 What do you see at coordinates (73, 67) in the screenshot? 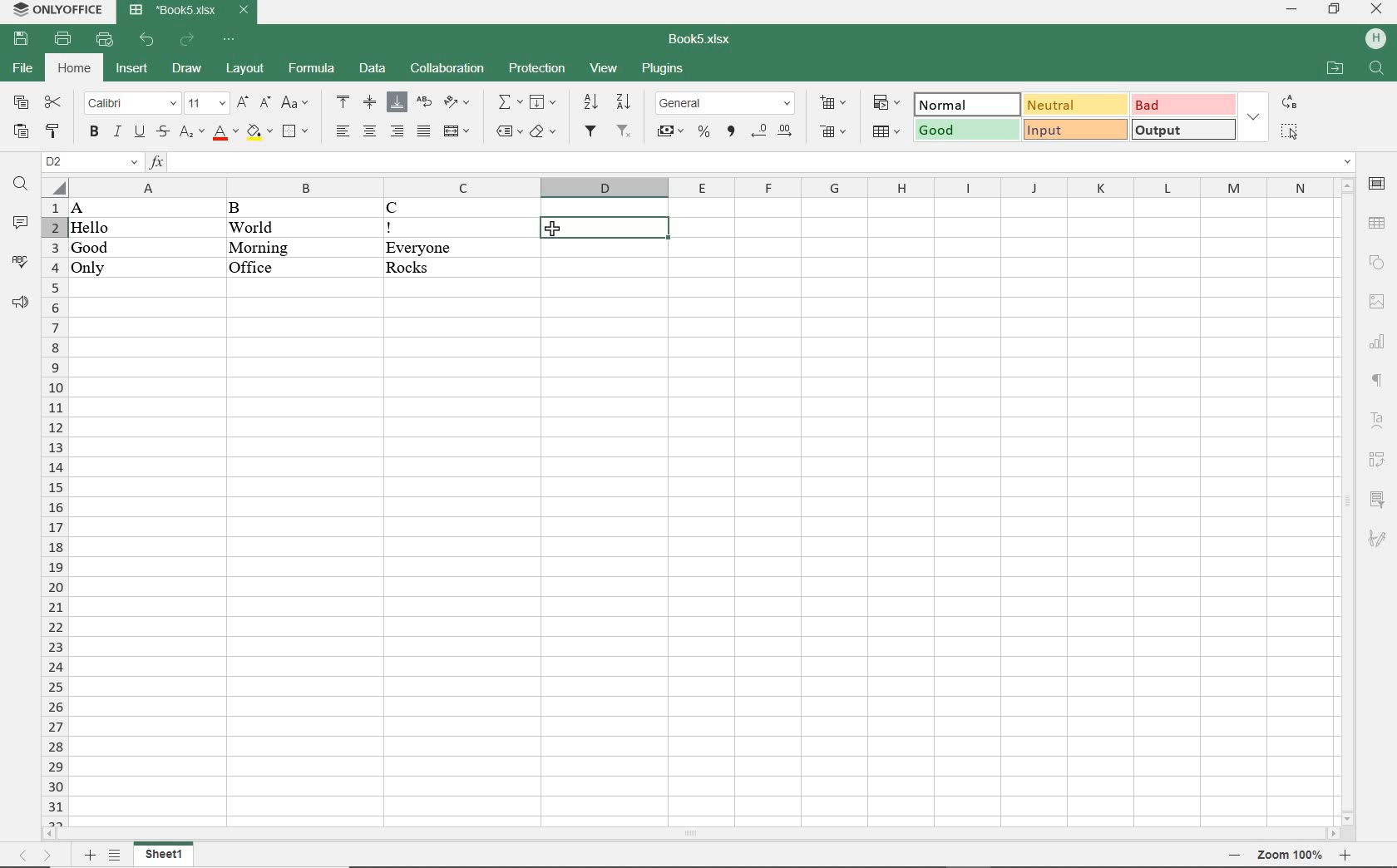
I see `home` at bounding box center [73, 67].